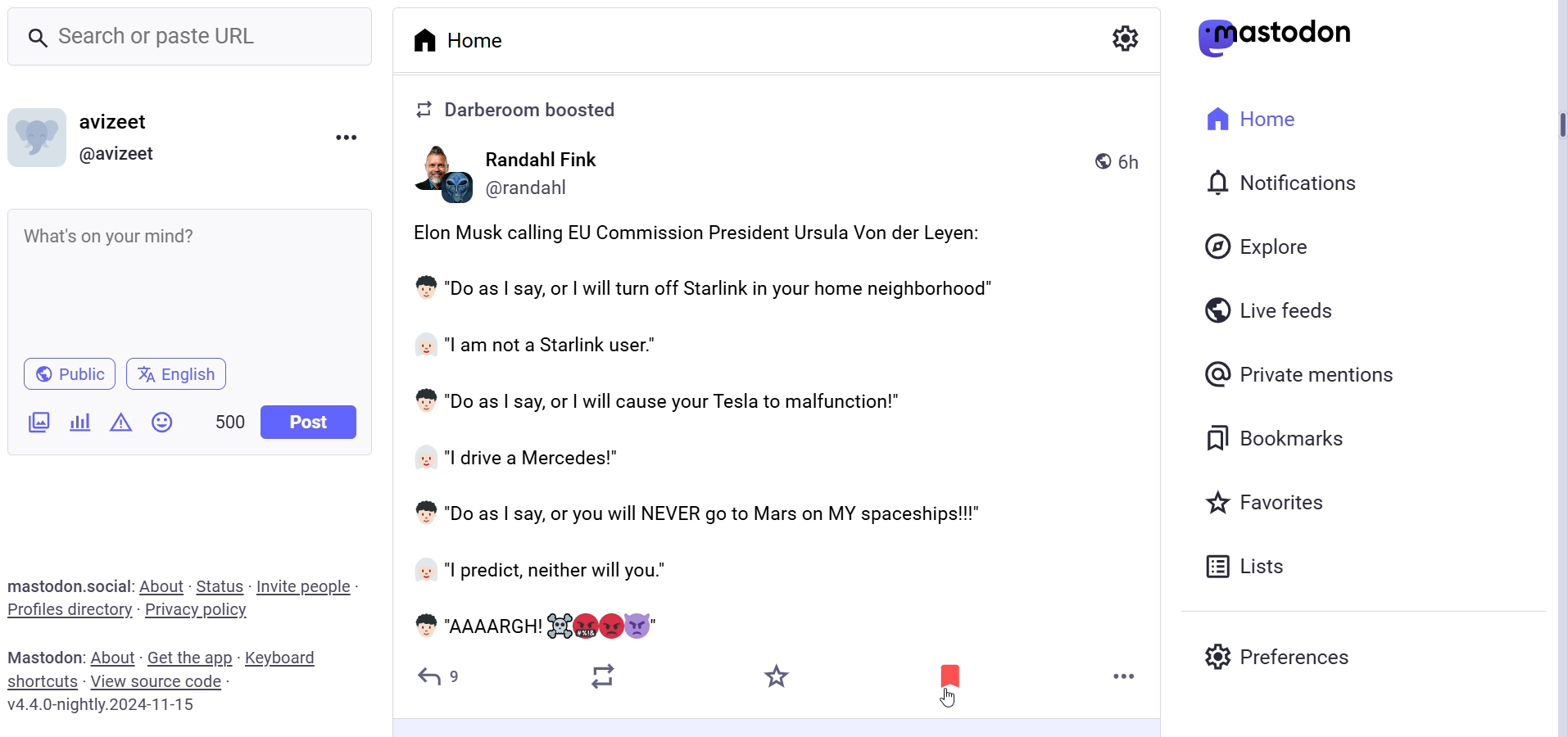 The height and width of the screenshot is (737, 1568). Describe the element at coordinates (192, 658) in the screenshot. I see `Get the App` at that location.